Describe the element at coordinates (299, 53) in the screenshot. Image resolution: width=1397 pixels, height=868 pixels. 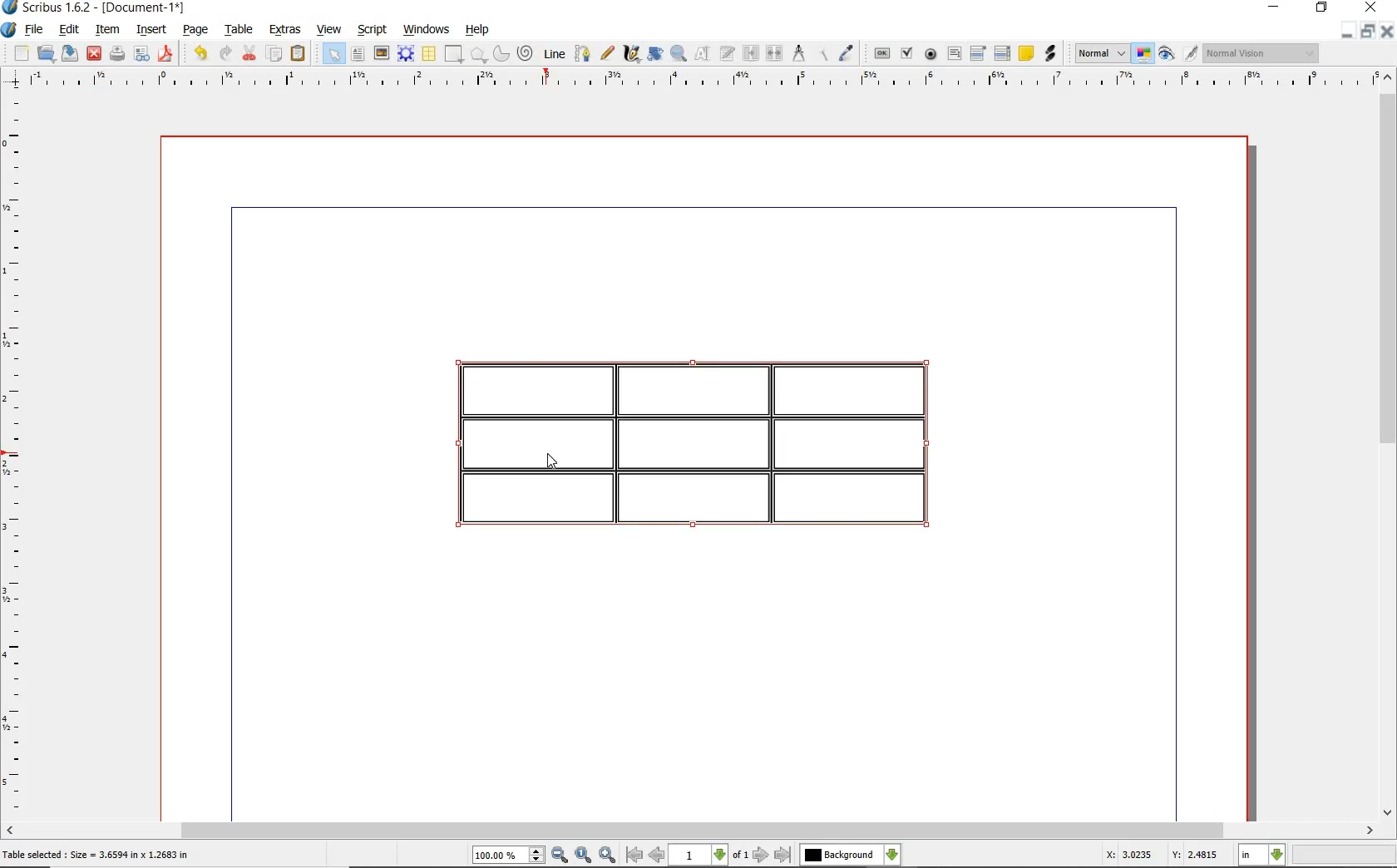
I see `paste` at that location.